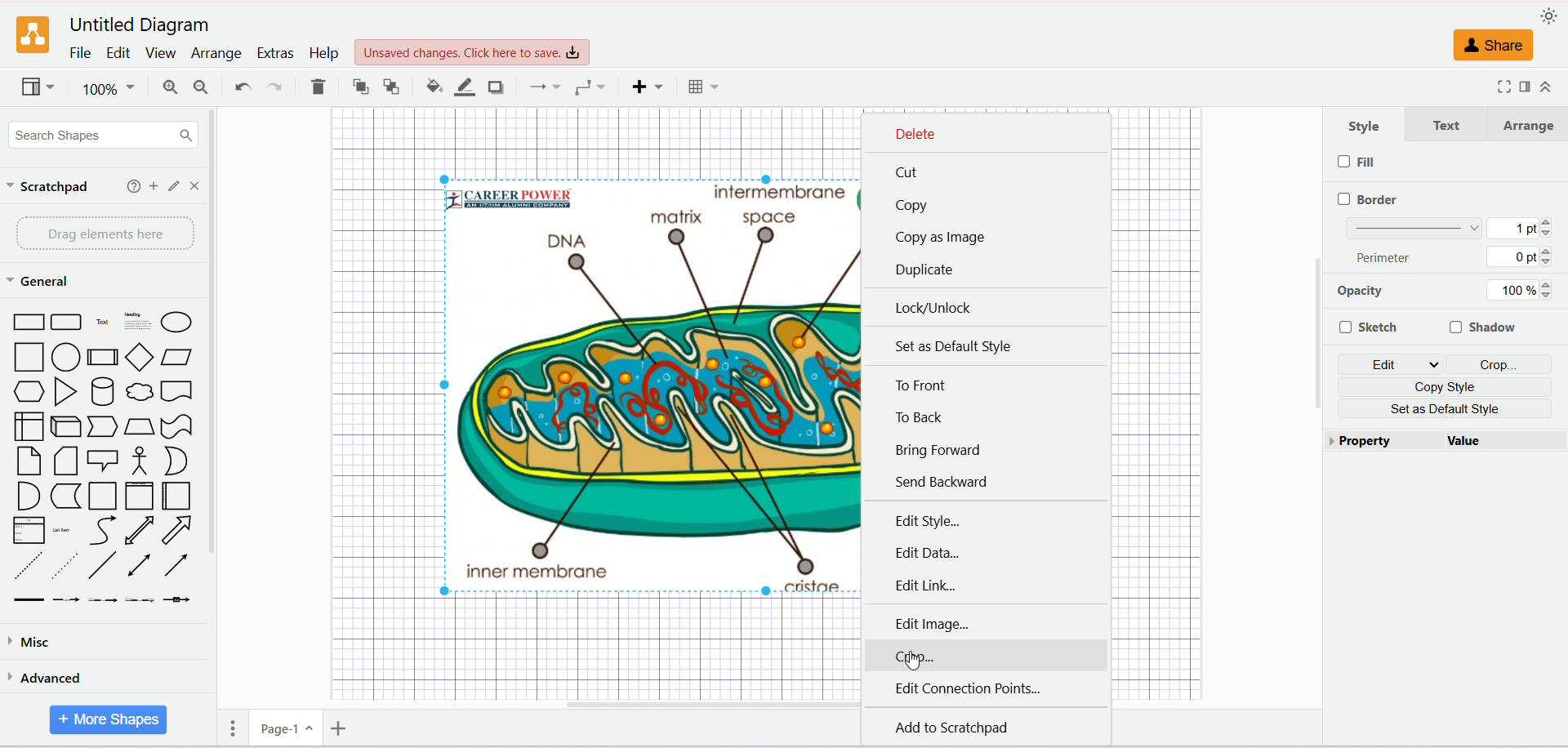 This screenshot has width=1568, height=748. What do you see at coordinates (501, 88) in the screenshot?
I see `shadow` at bounding box center [501, 88].